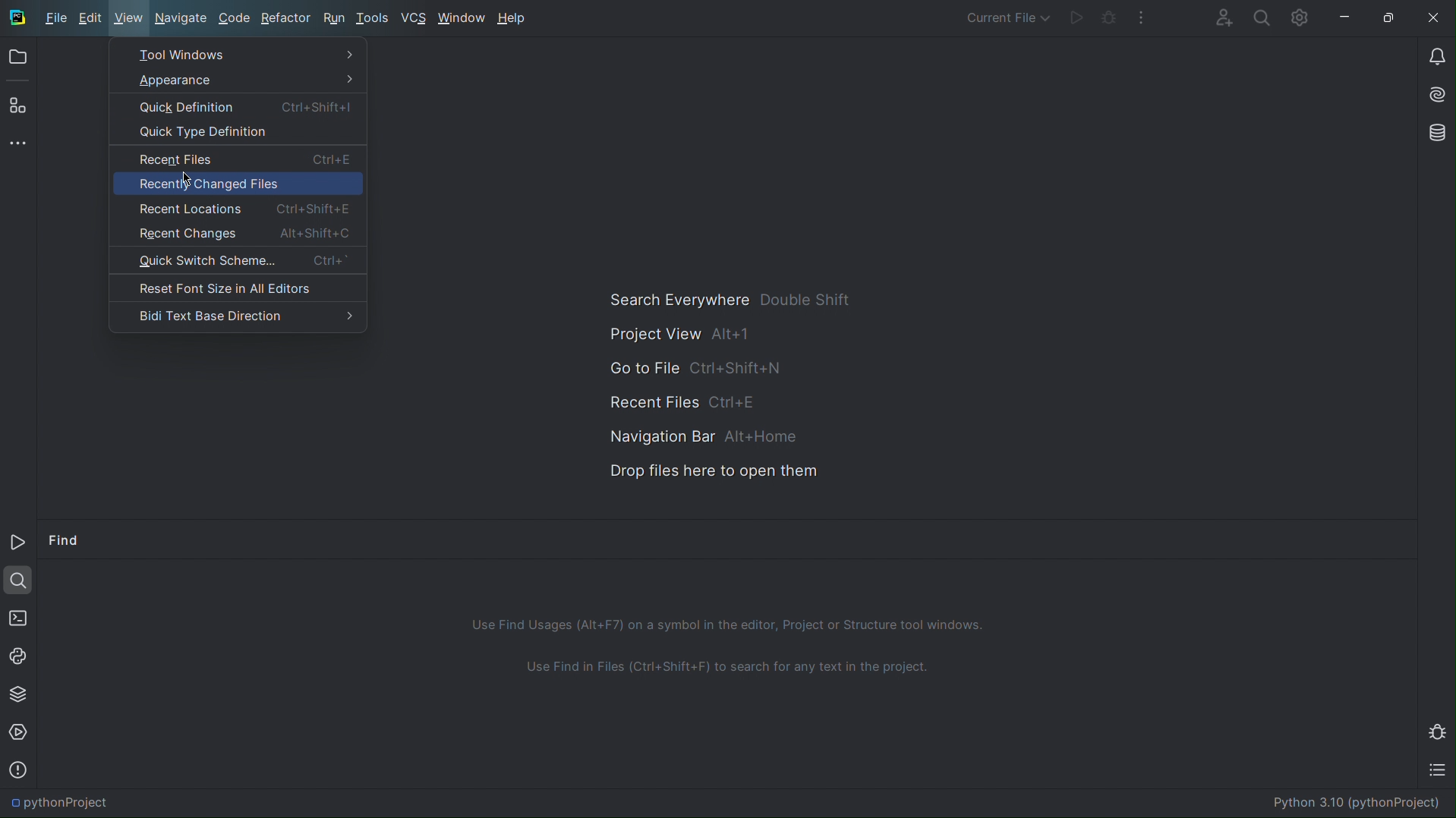  What do you see at coordinates (1391, 19) in the screenshot?
I see `Maximize` at bounding box center [1391, 19].